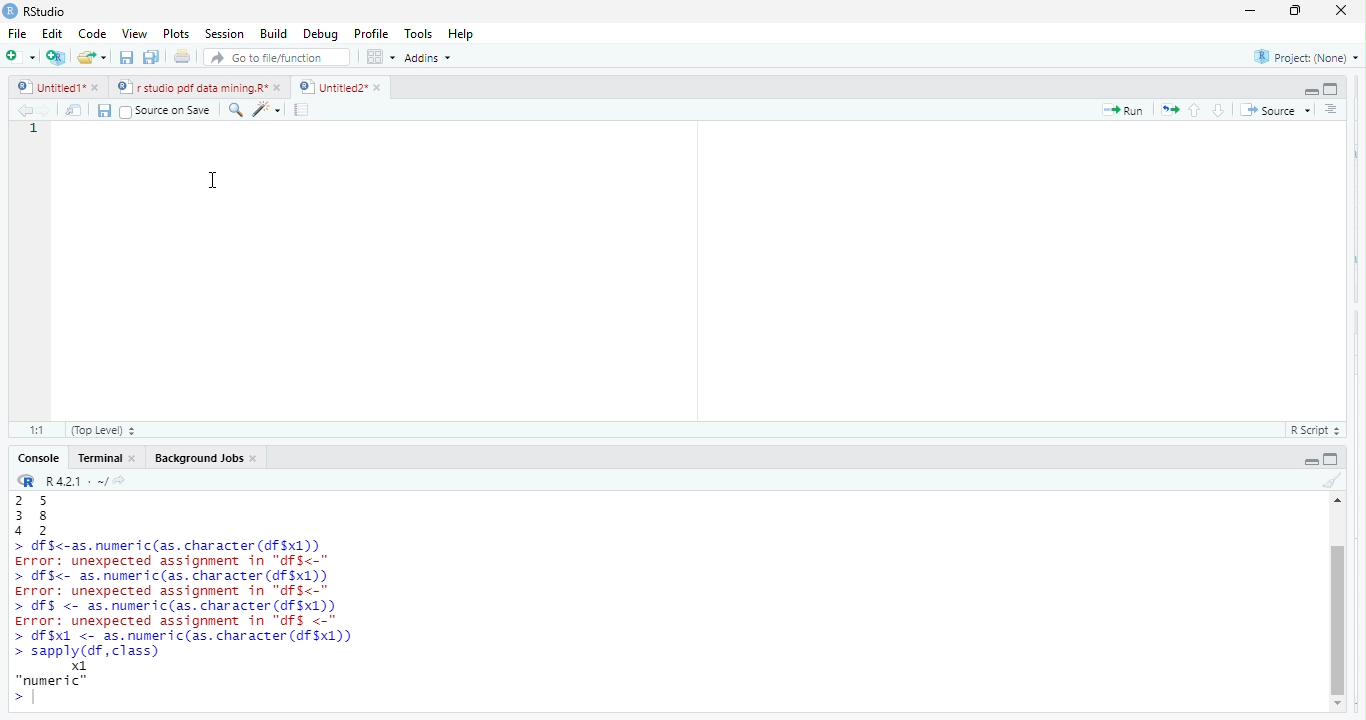 The width and height of the screenshot is (1366, 720). What do you see at coordinates (1333, 460) in the screenshot?
I see `hide console` at bounding box center [1333, 460].